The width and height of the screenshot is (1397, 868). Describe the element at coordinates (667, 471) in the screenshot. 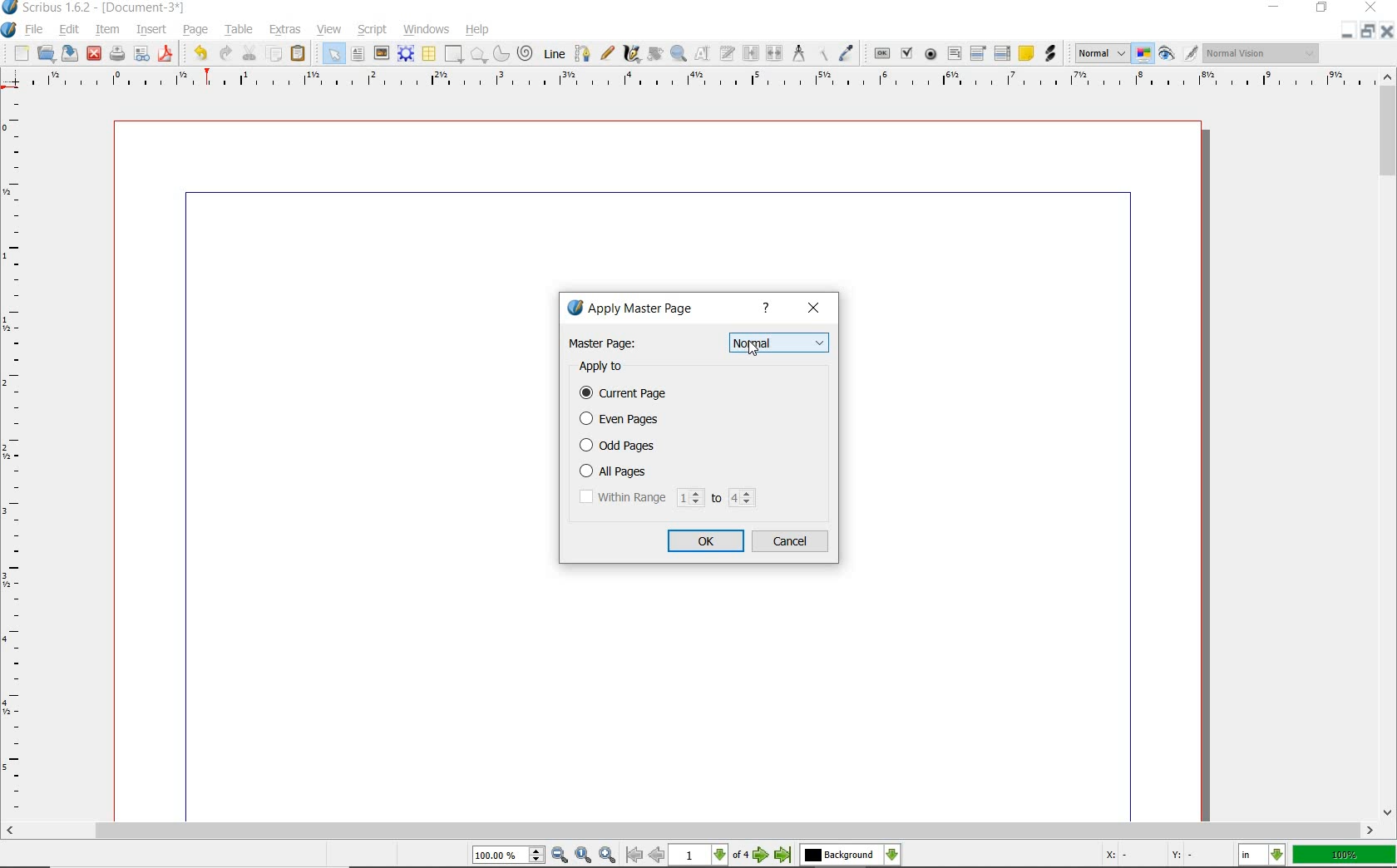

I see `all pages` at that location.